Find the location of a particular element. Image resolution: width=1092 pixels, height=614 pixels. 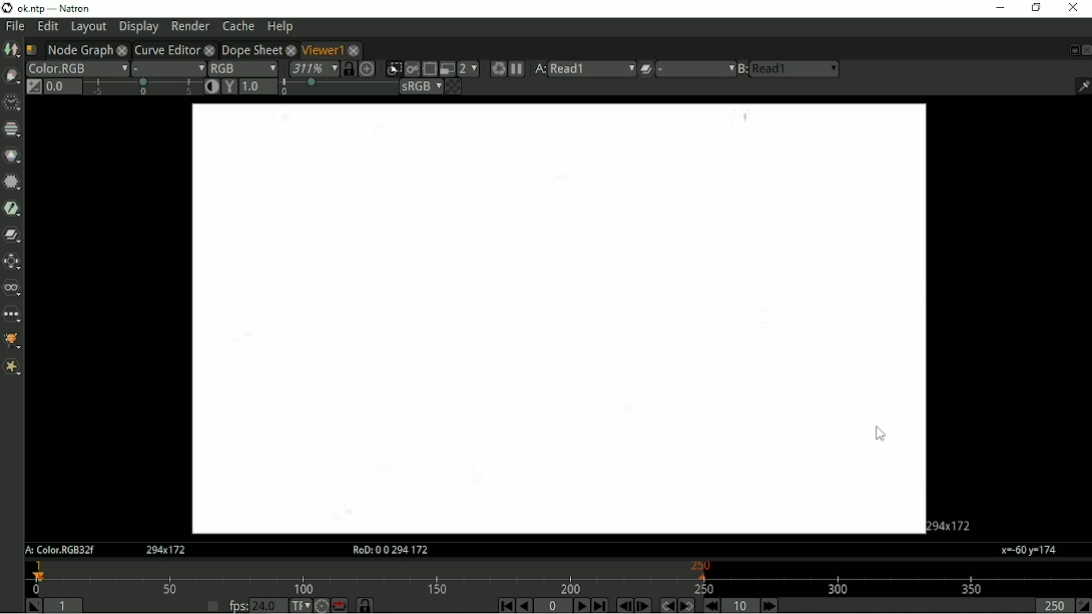

Previous increment is located at coordinates (711, 606).